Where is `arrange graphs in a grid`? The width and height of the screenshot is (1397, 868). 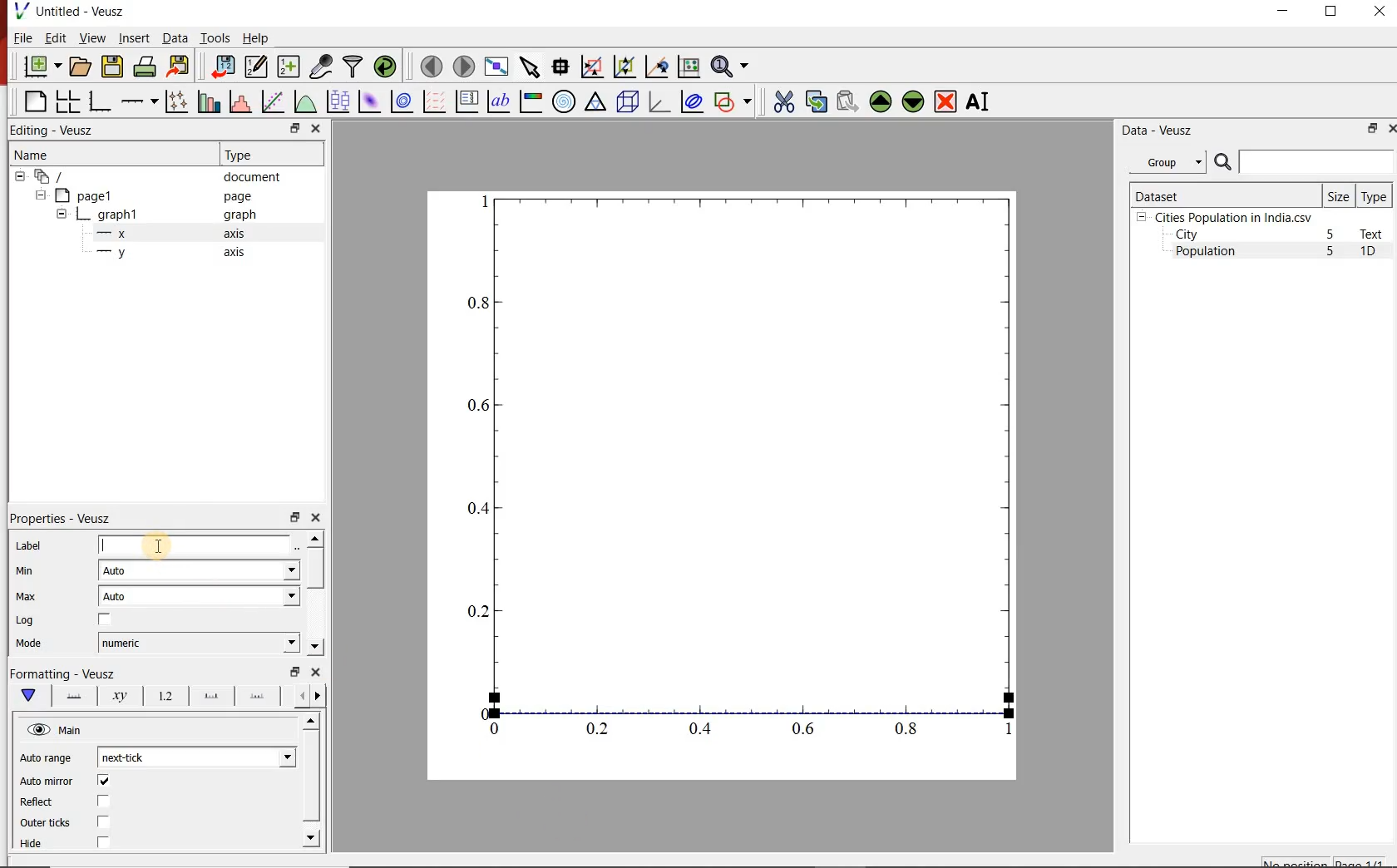
arrange graphs in a grid is located at coordinates (67, 101).